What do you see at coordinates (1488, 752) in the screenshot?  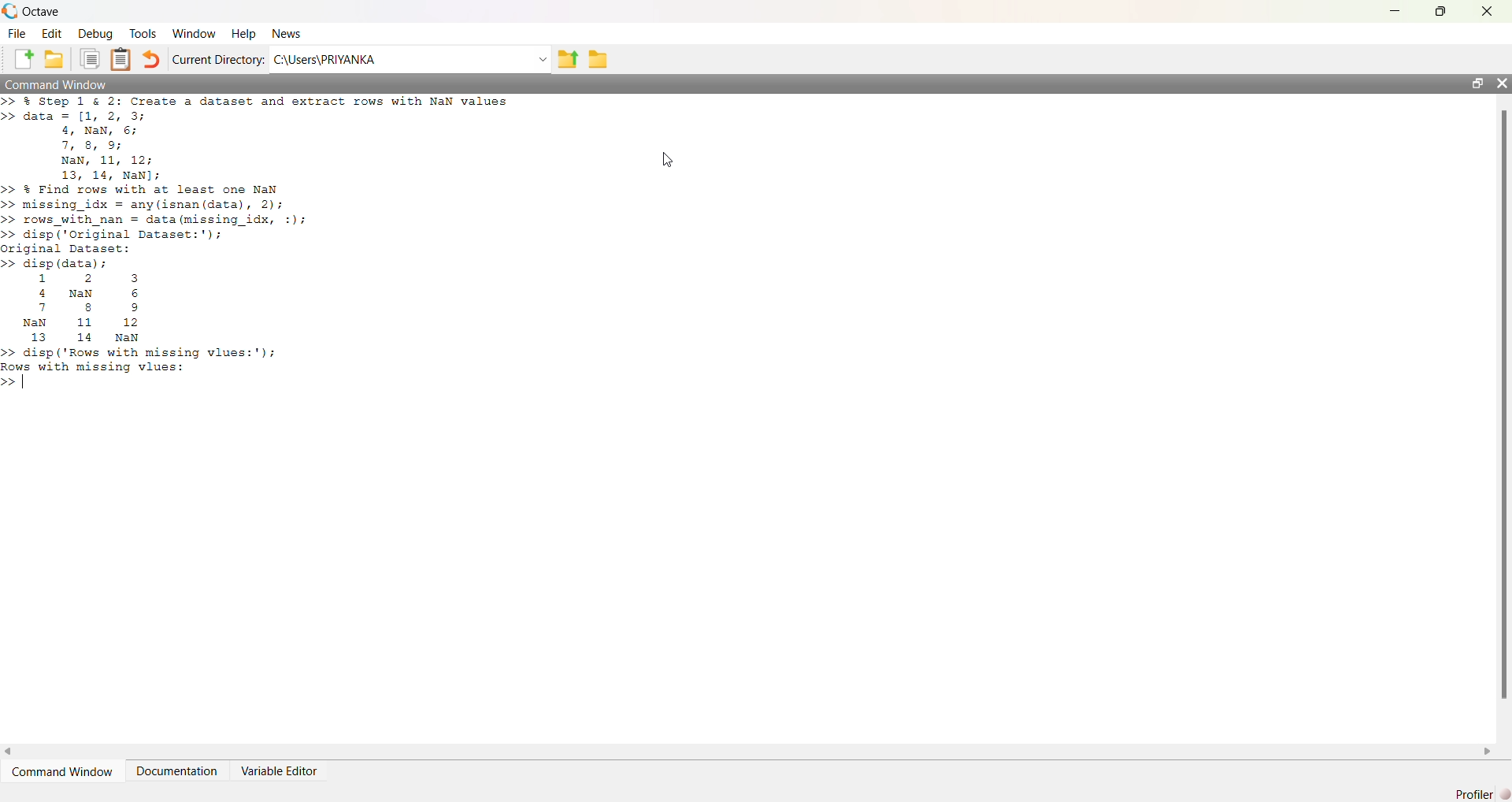 I see `scroll right` at bounding box center [1488, 752].